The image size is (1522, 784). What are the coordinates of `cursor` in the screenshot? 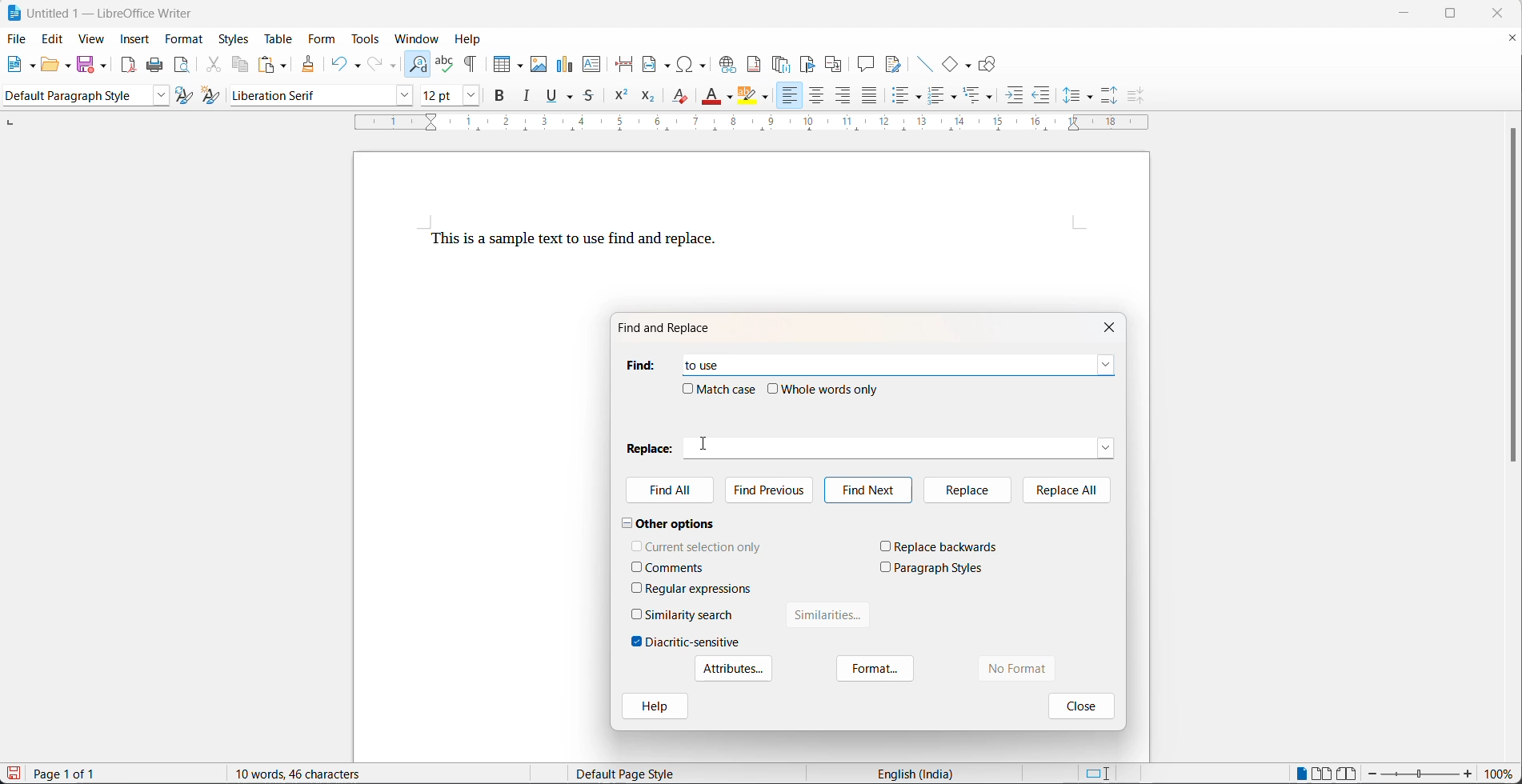 It's located at (704, 443).